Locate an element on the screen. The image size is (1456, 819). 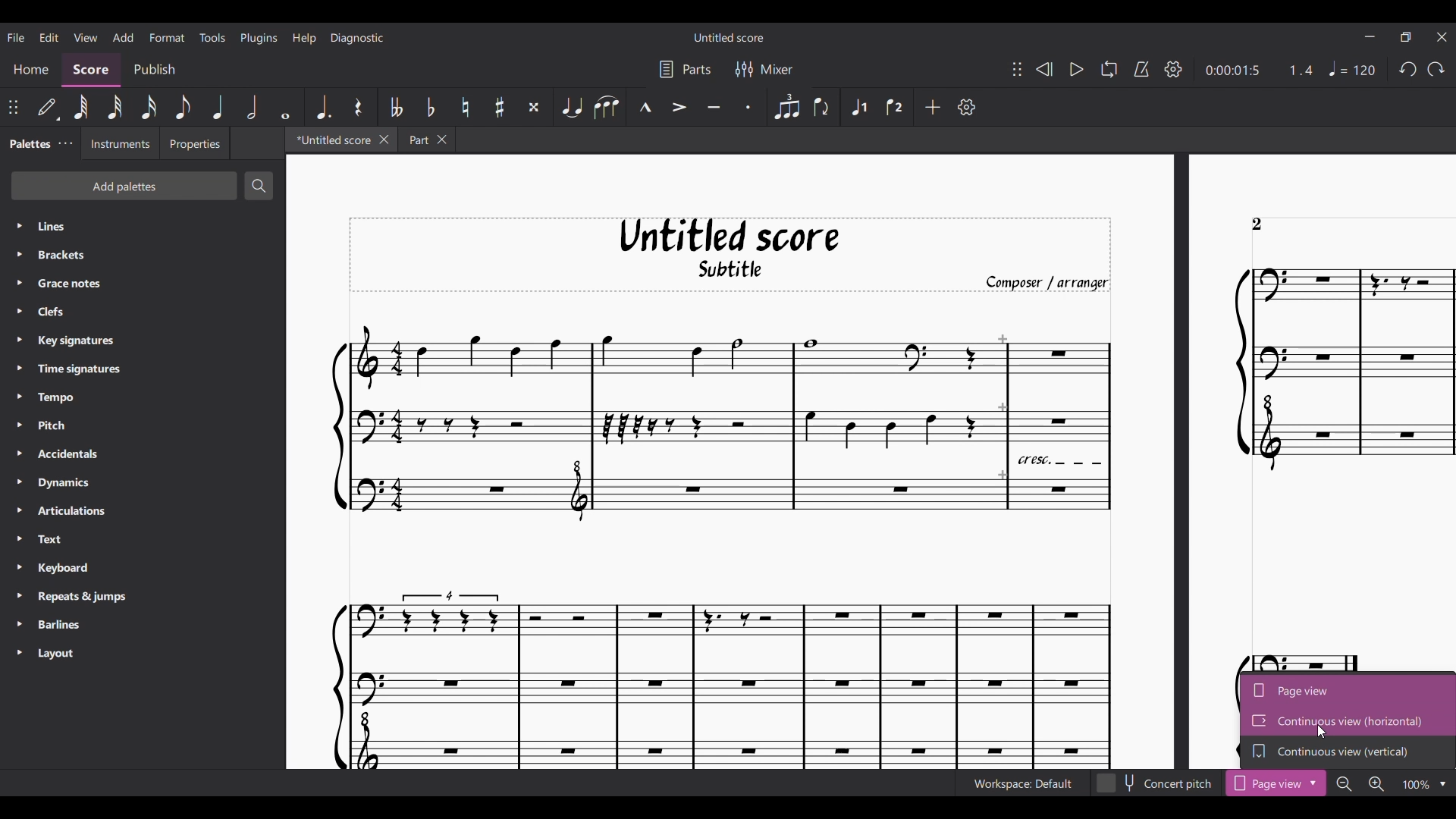
Whole note is located at coordinates (285, 107).